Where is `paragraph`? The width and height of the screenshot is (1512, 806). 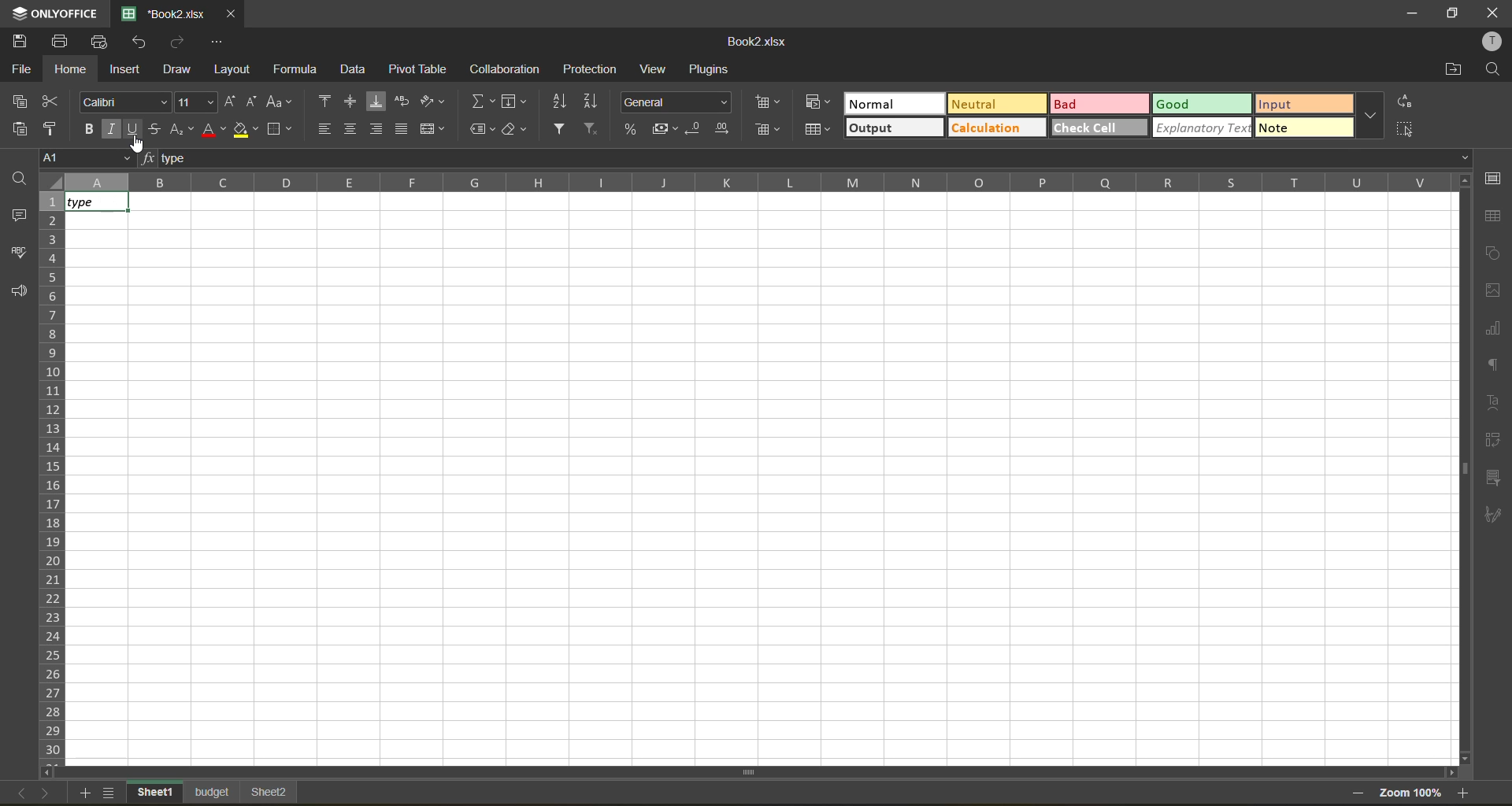
paragraph is located at coordinates (1493, 365).